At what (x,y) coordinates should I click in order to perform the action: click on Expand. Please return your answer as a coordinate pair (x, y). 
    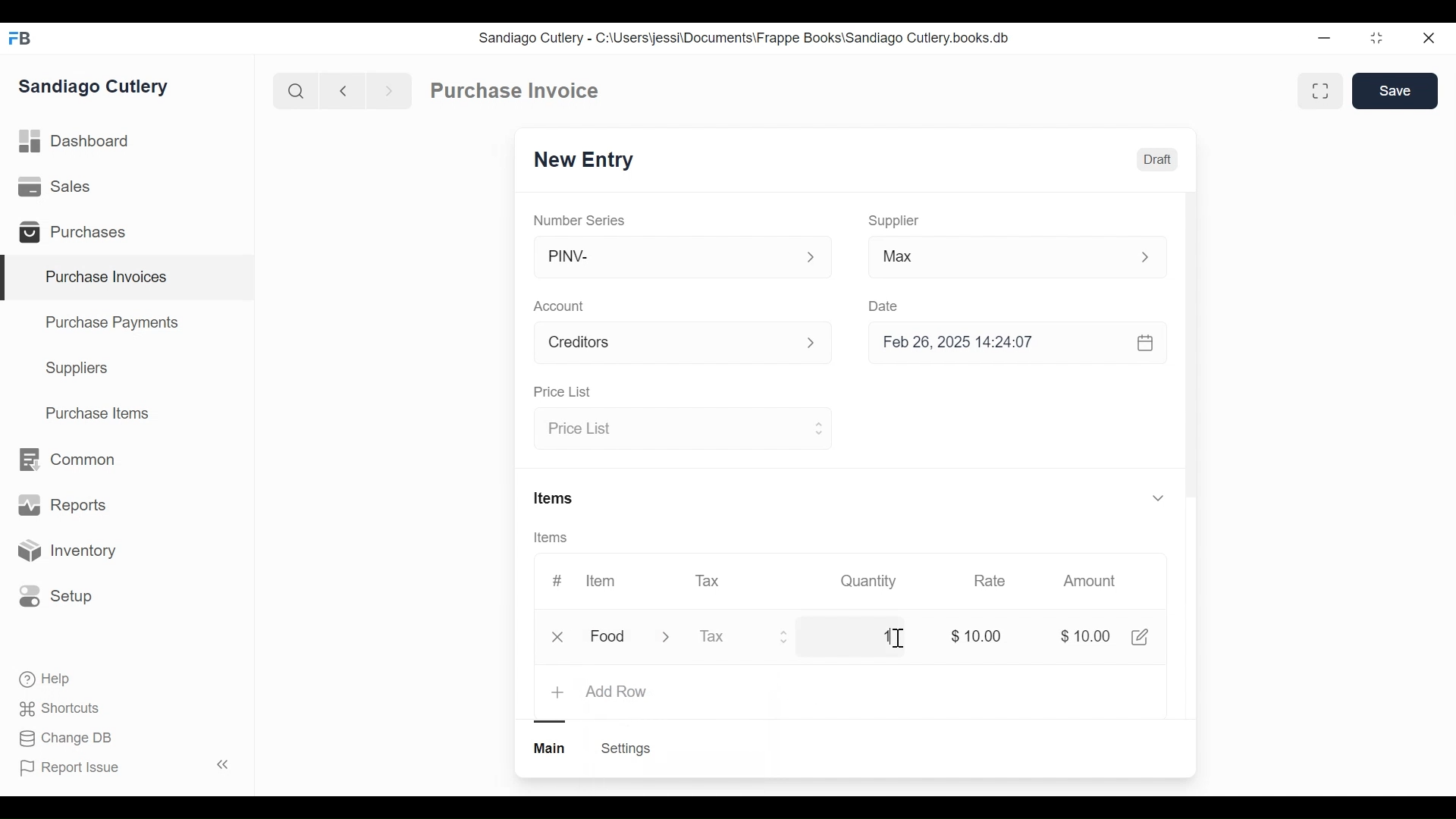
    Looking at the image, I should click on (820, 344).